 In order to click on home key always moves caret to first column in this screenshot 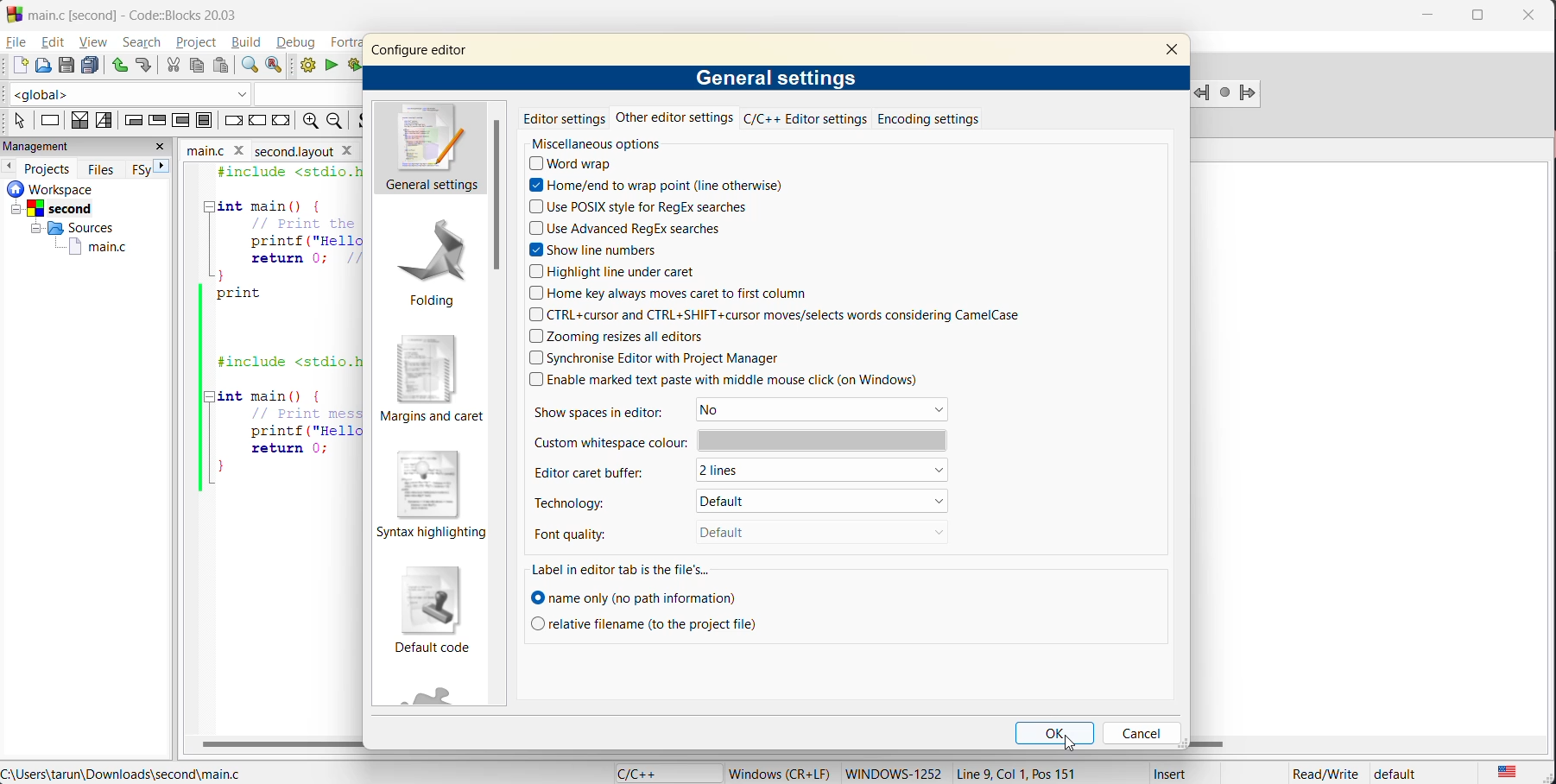, I will do `click(680, 293)`.